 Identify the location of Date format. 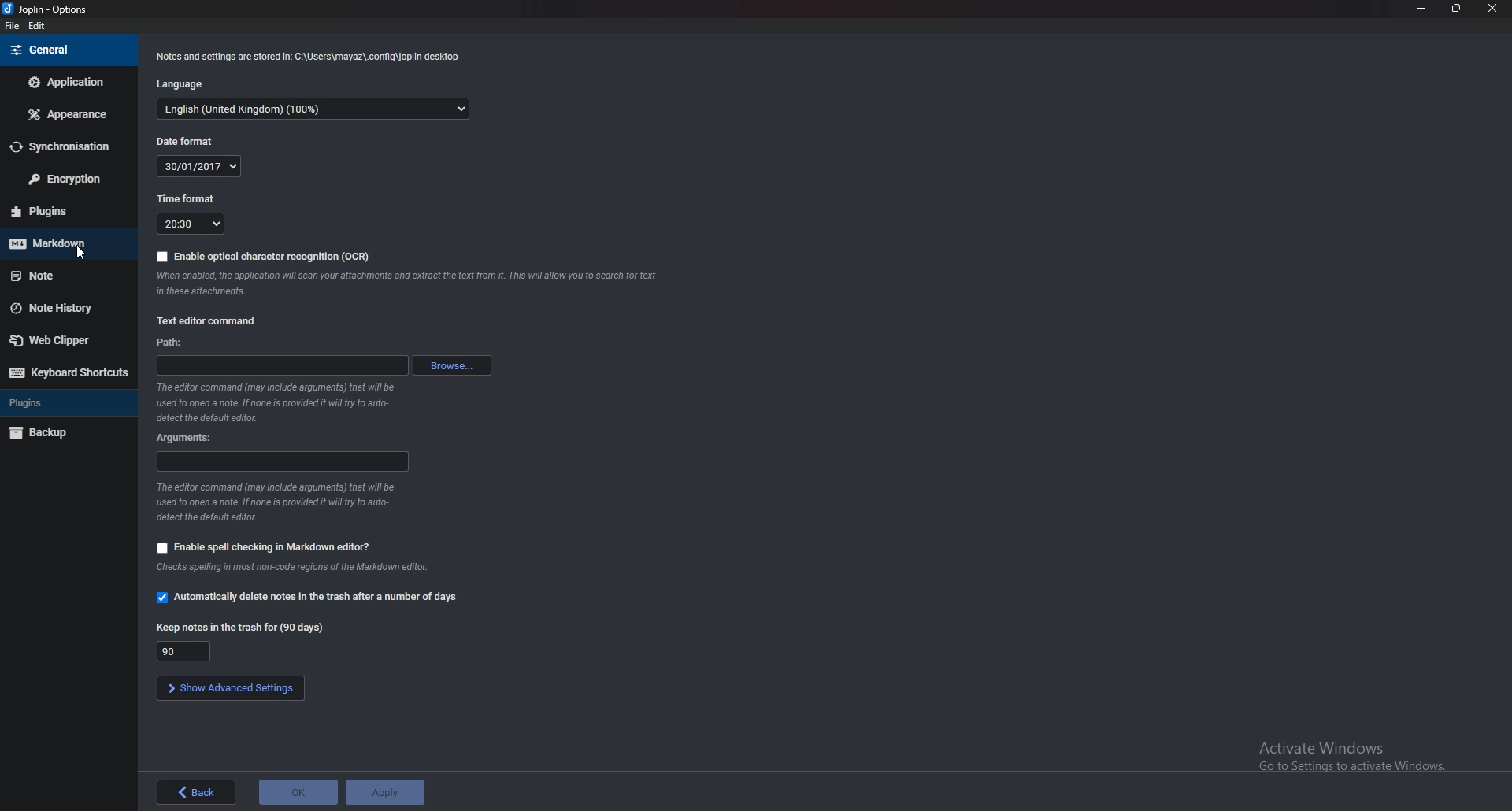
(201, 166).